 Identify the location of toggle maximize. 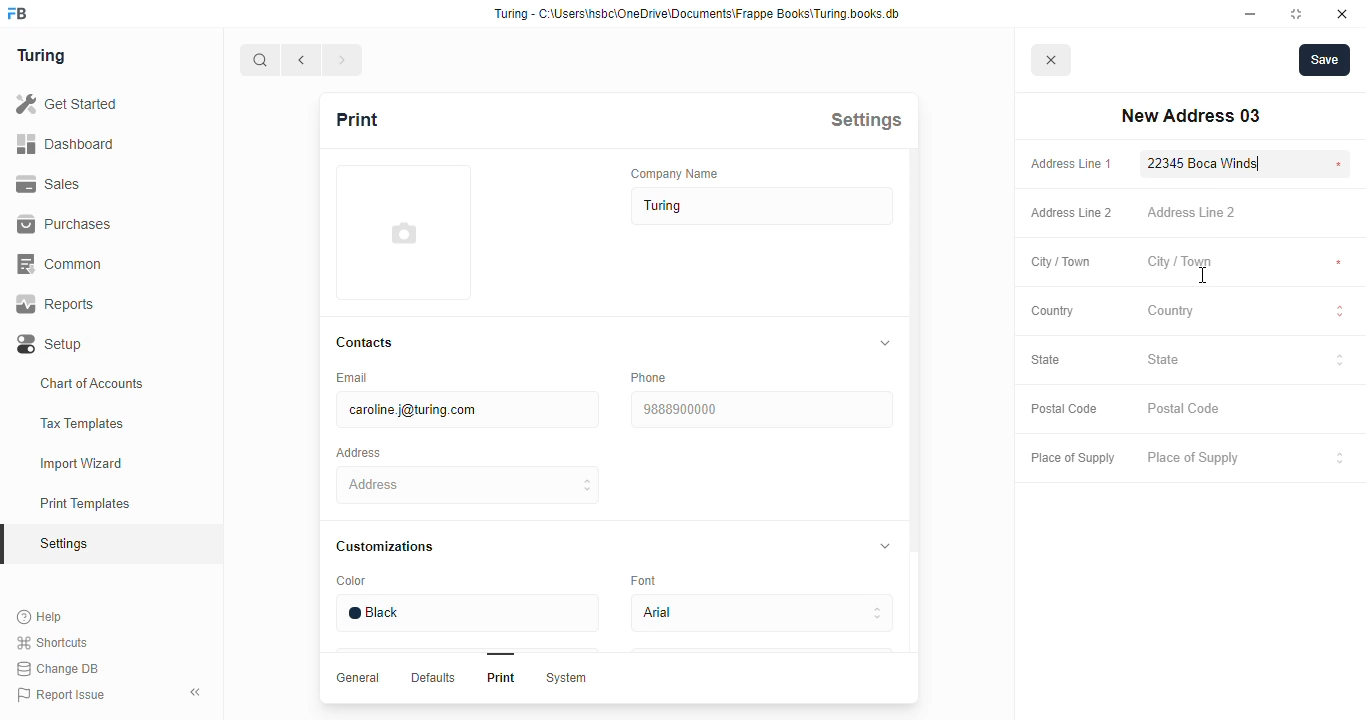
(1295, 13).